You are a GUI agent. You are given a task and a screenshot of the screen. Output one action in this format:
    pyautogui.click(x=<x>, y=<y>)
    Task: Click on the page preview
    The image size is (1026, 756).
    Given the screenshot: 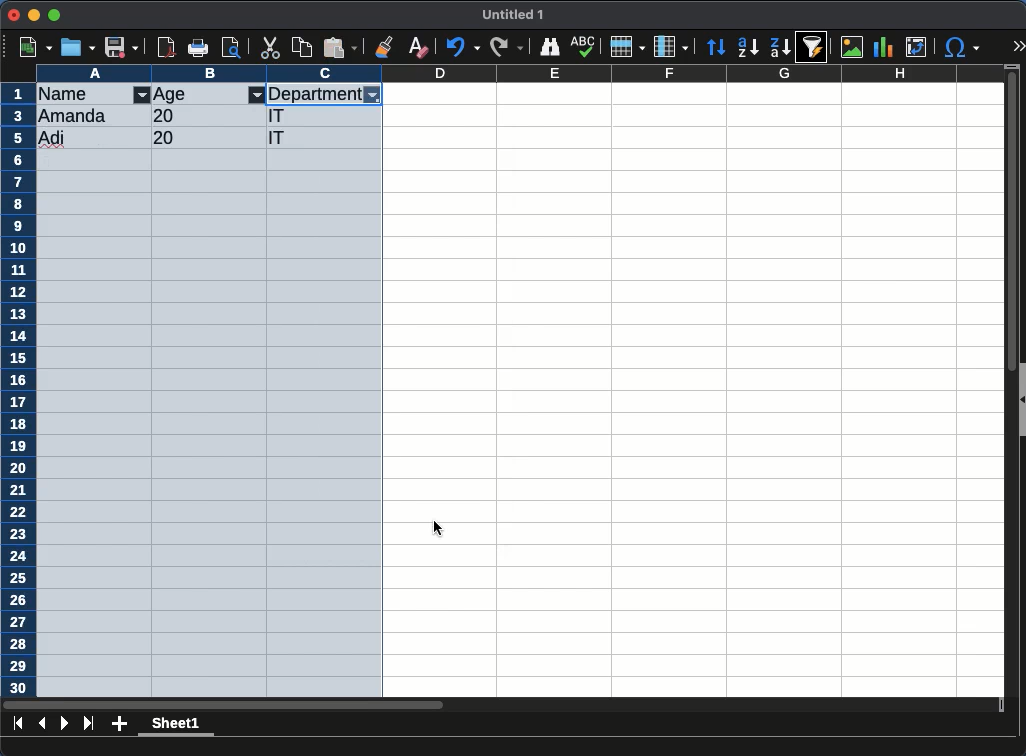 What is the action you would take?
    pyautogui.click(x=235, y=47)
    